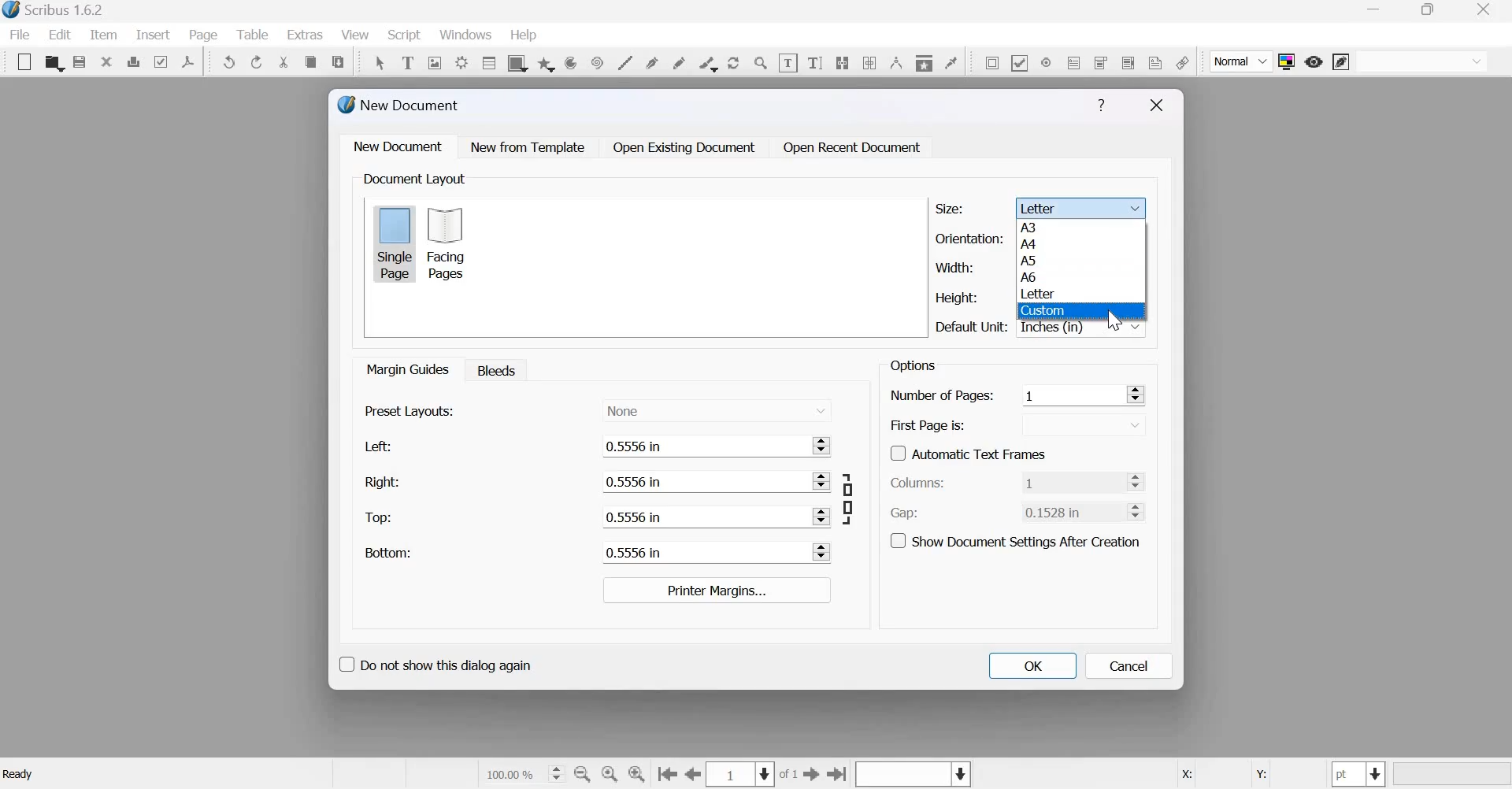 This screenshot has height=789, width=1512. I want to click on rotate item, so click(732, 61).